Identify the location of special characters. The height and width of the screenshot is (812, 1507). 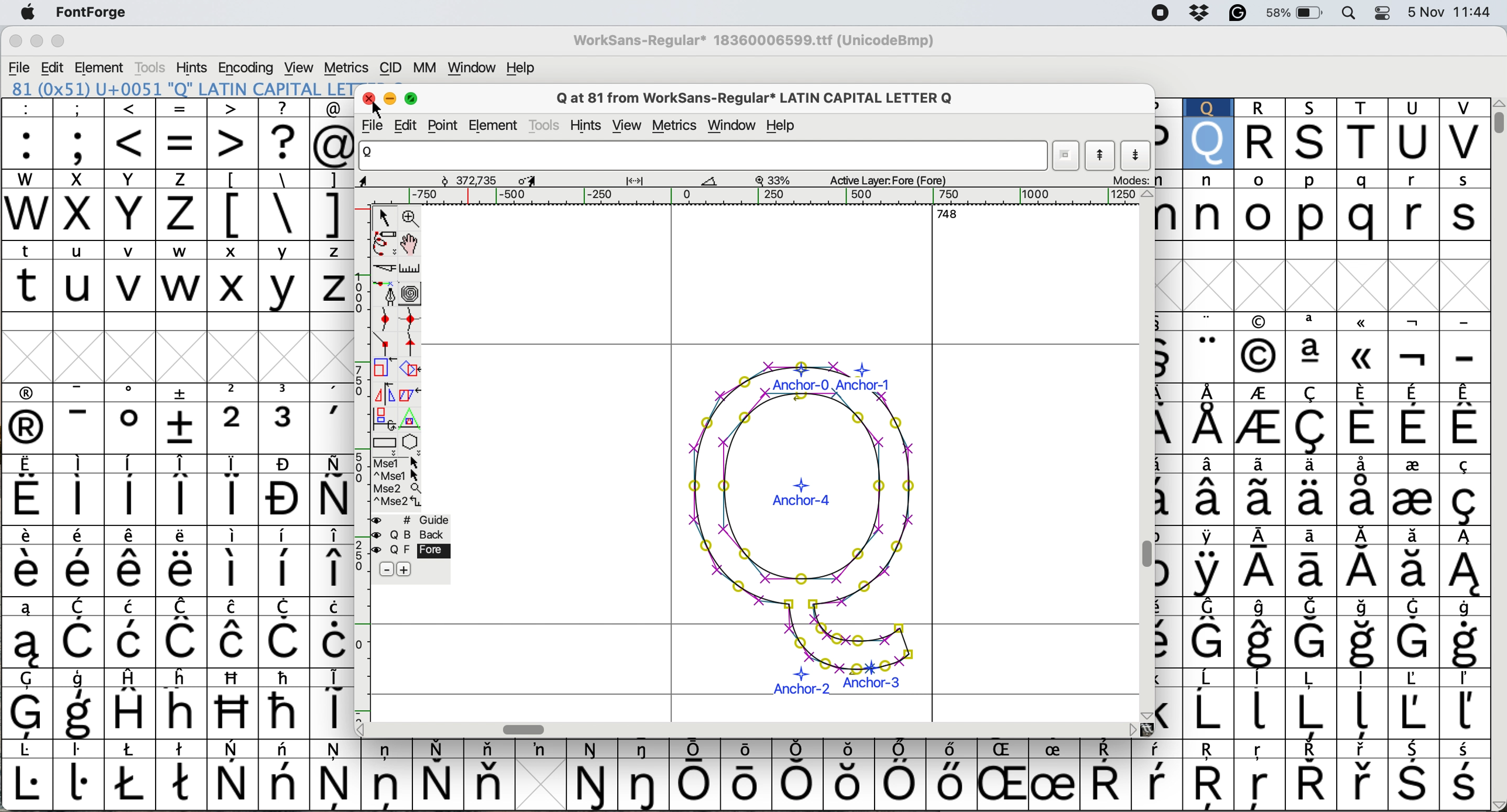
(274, 180).